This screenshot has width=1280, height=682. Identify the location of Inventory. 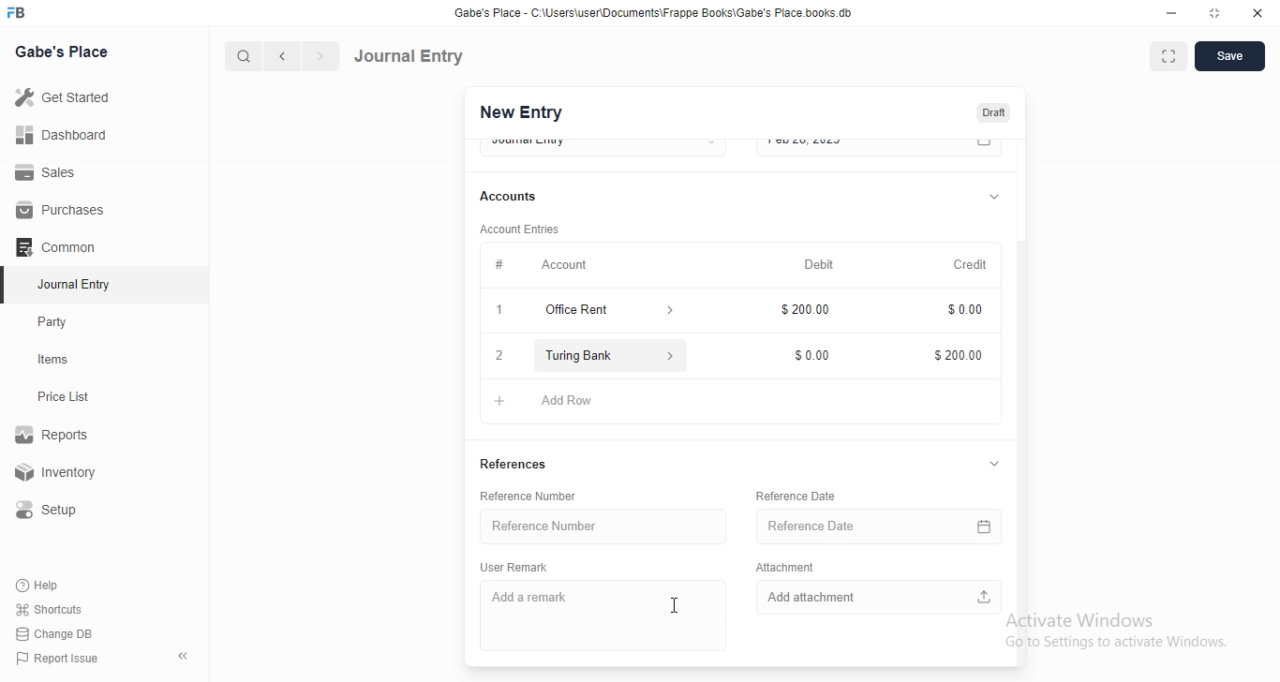
(59, 474).